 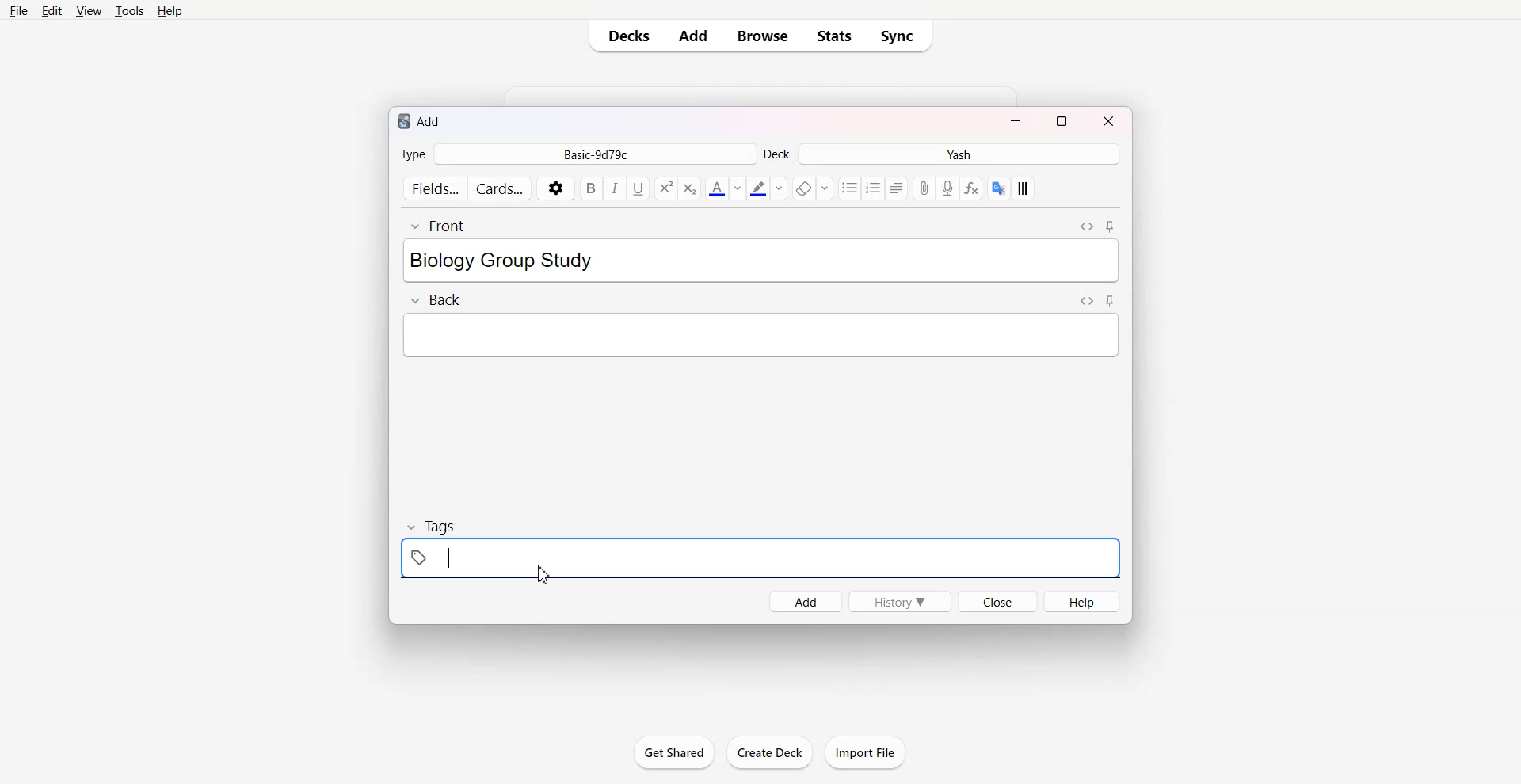 I want to click on Toggle HTML Editor, so click(x=1087, y=226).